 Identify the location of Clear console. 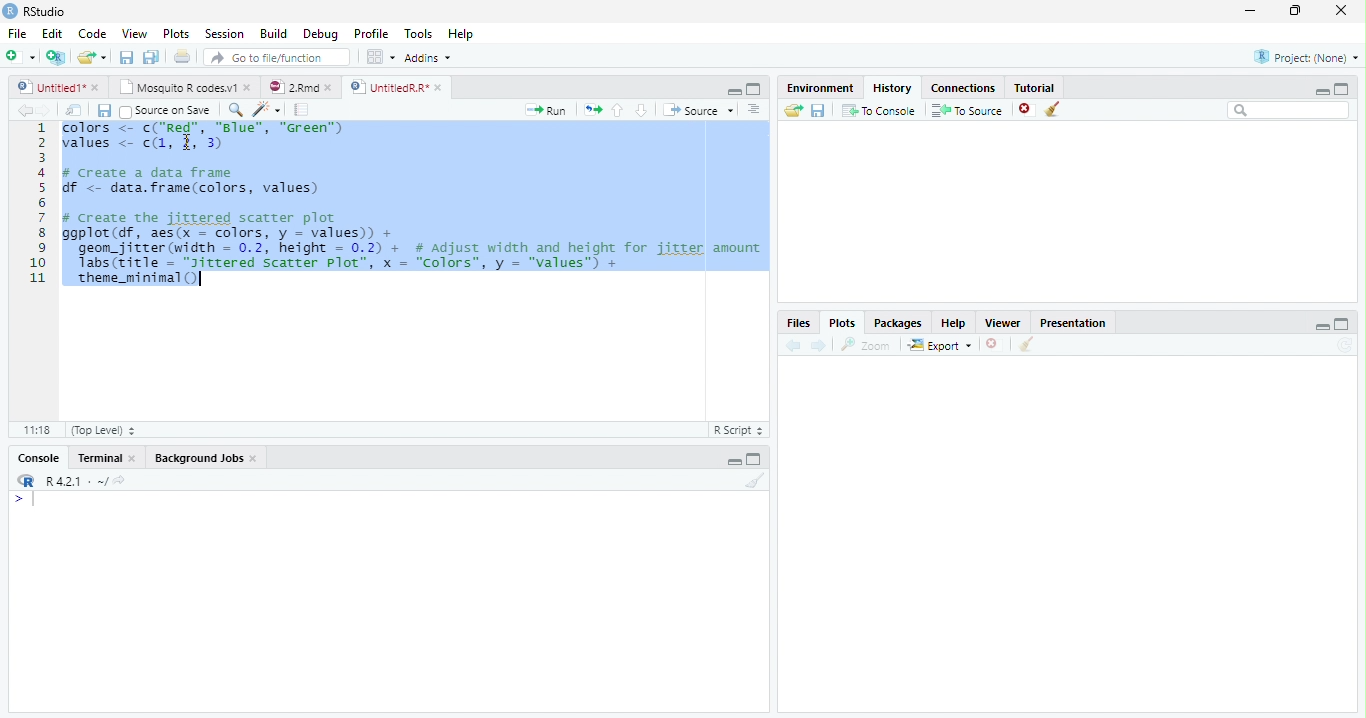
(754, 481).